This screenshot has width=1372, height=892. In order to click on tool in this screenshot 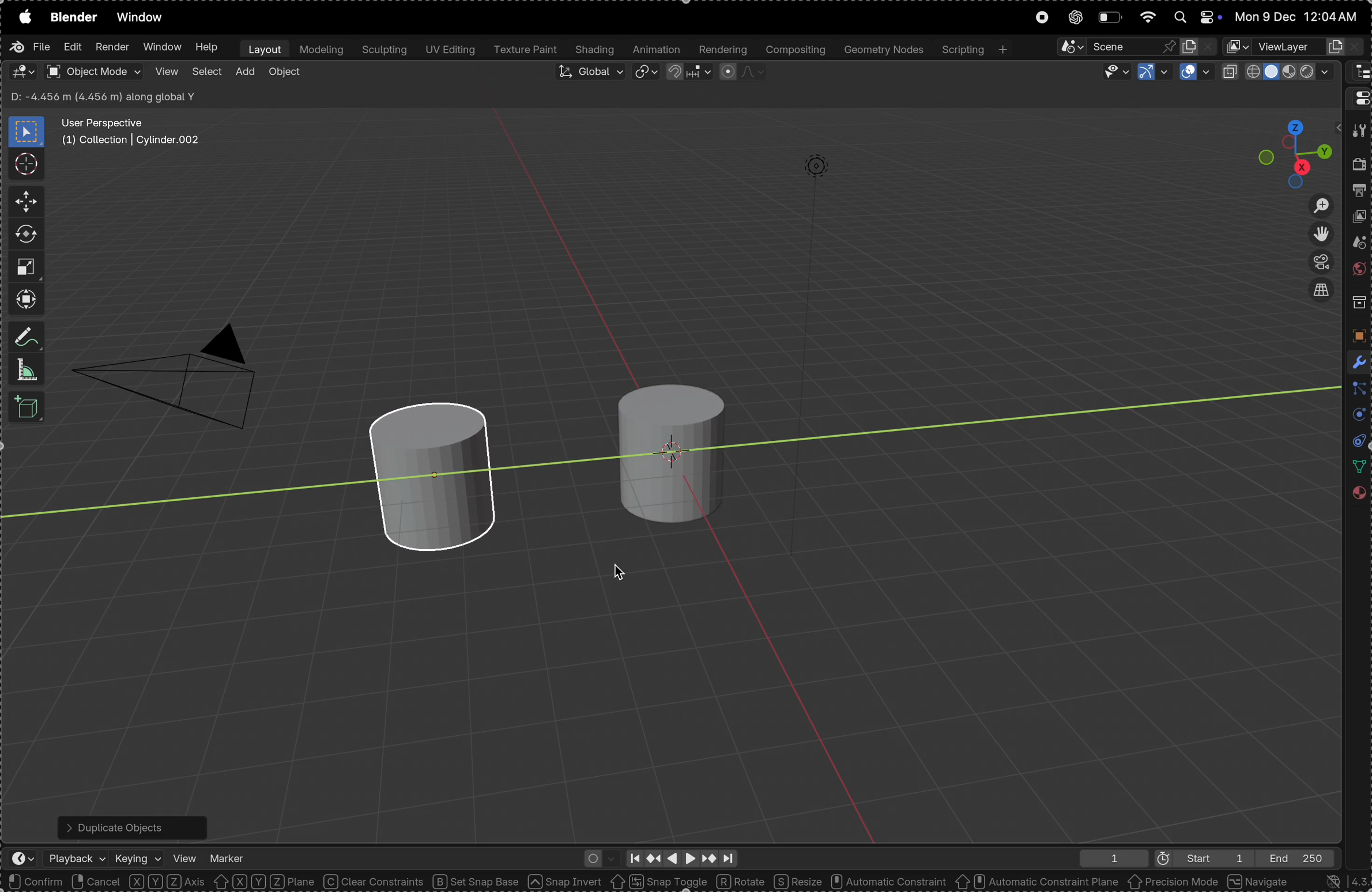, I will do `click(1358, 131)`.